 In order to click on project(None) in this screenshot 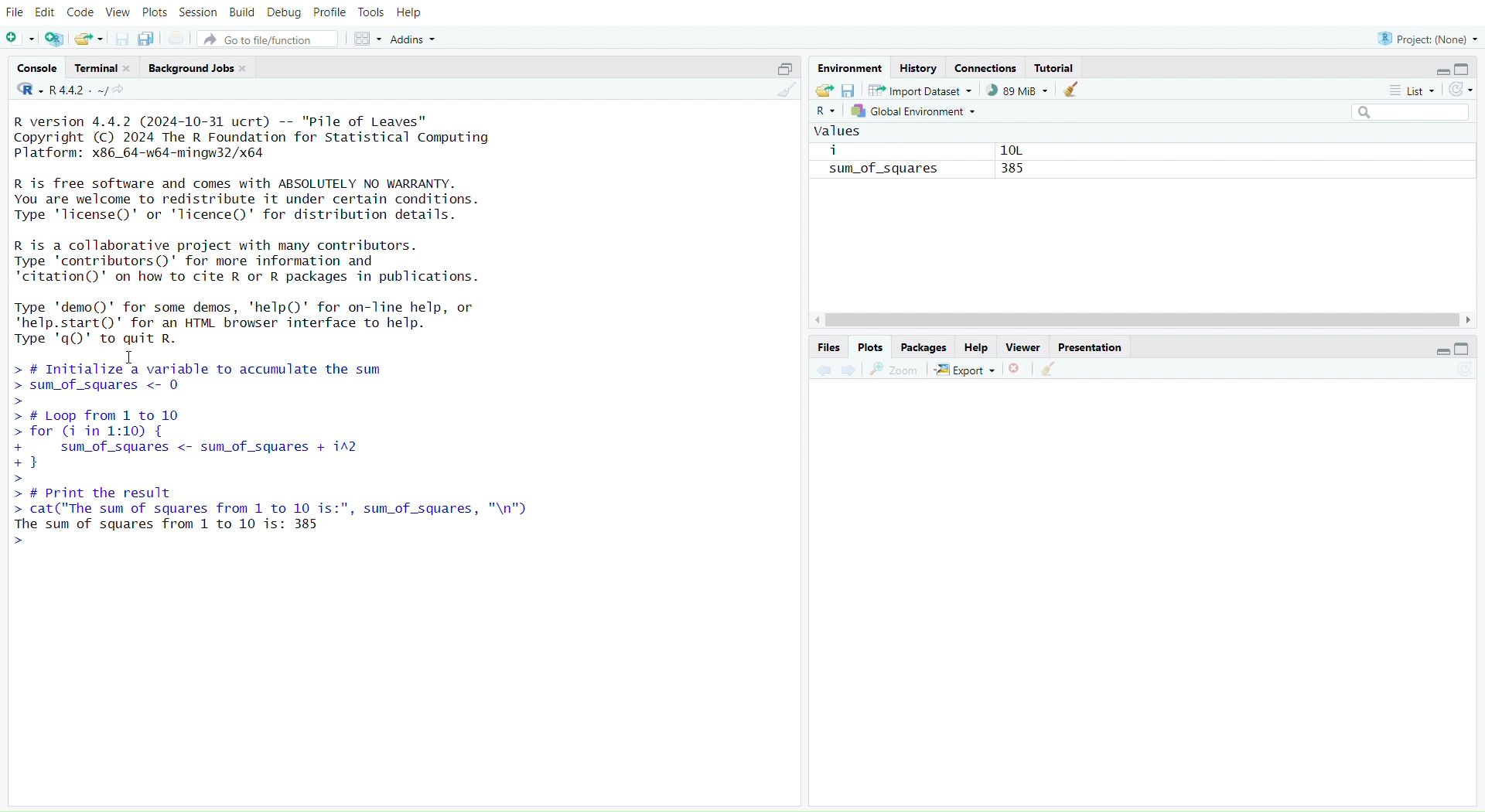, I will do `click(1424, 38)`.